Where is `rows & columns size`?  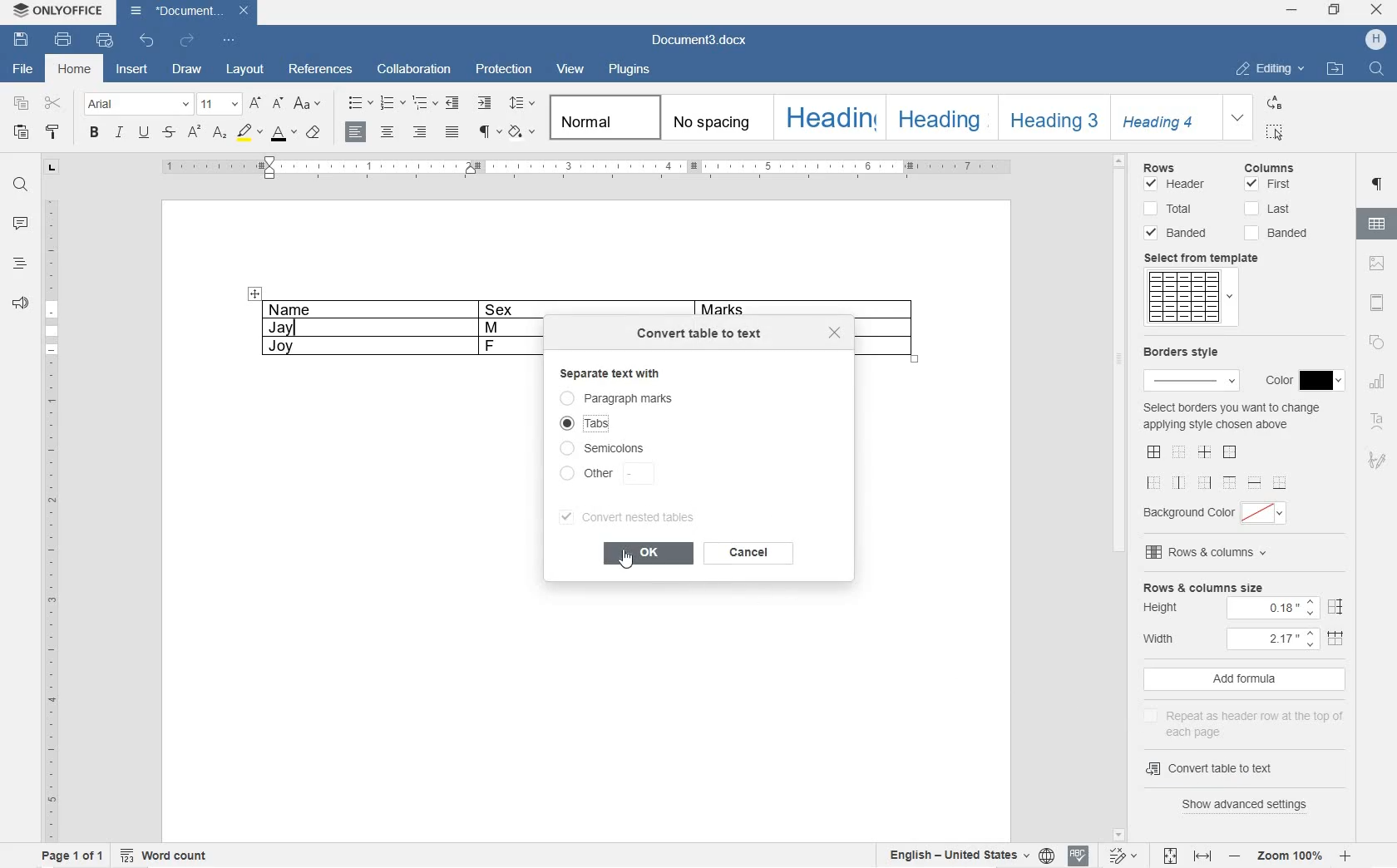 rows & columns size is located at coordinates (1202, 586).